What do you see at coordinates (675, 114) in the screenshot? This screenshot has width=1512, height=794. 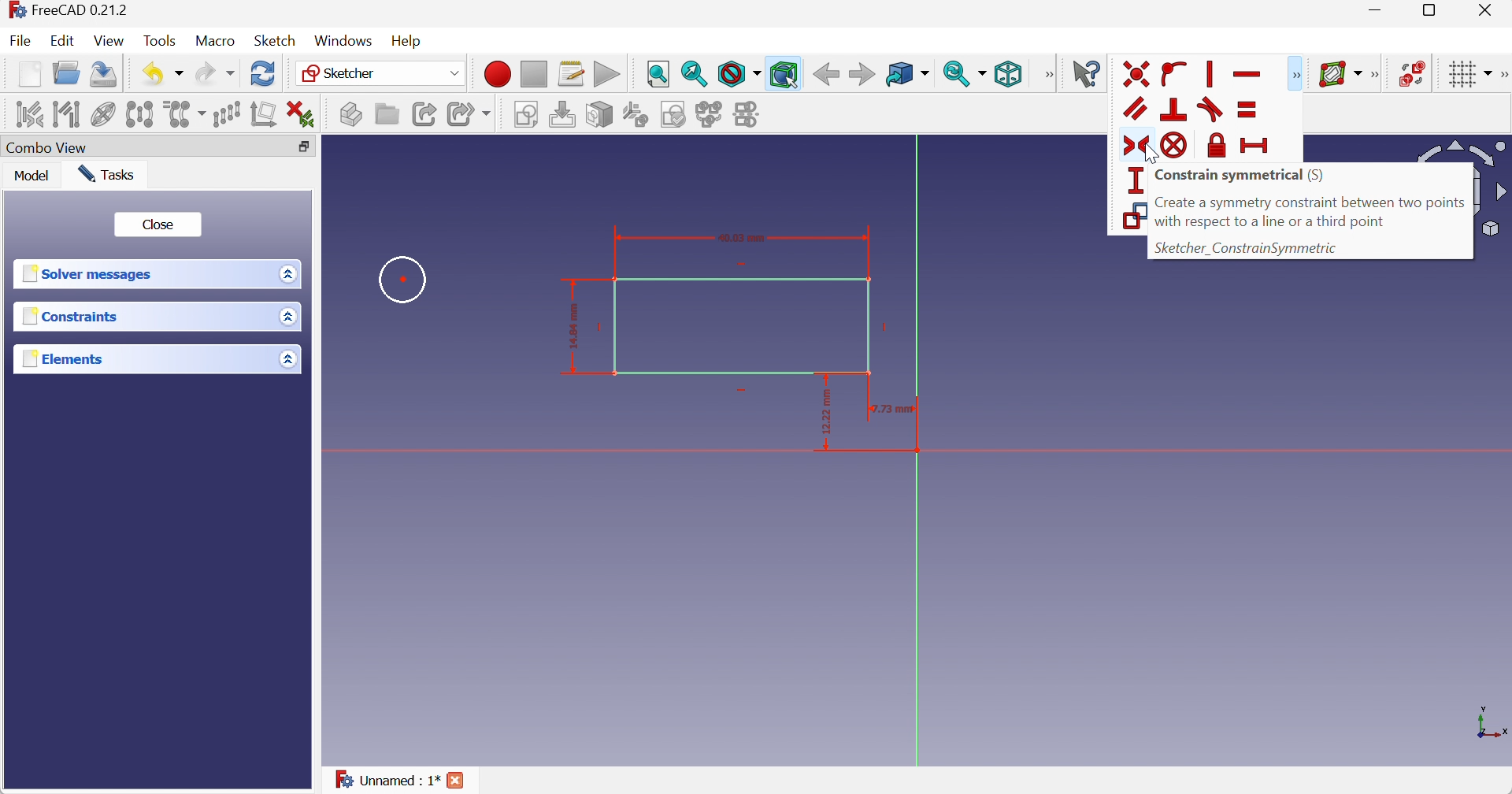 I see `Validate sketch` at bounding box center [675, 114].